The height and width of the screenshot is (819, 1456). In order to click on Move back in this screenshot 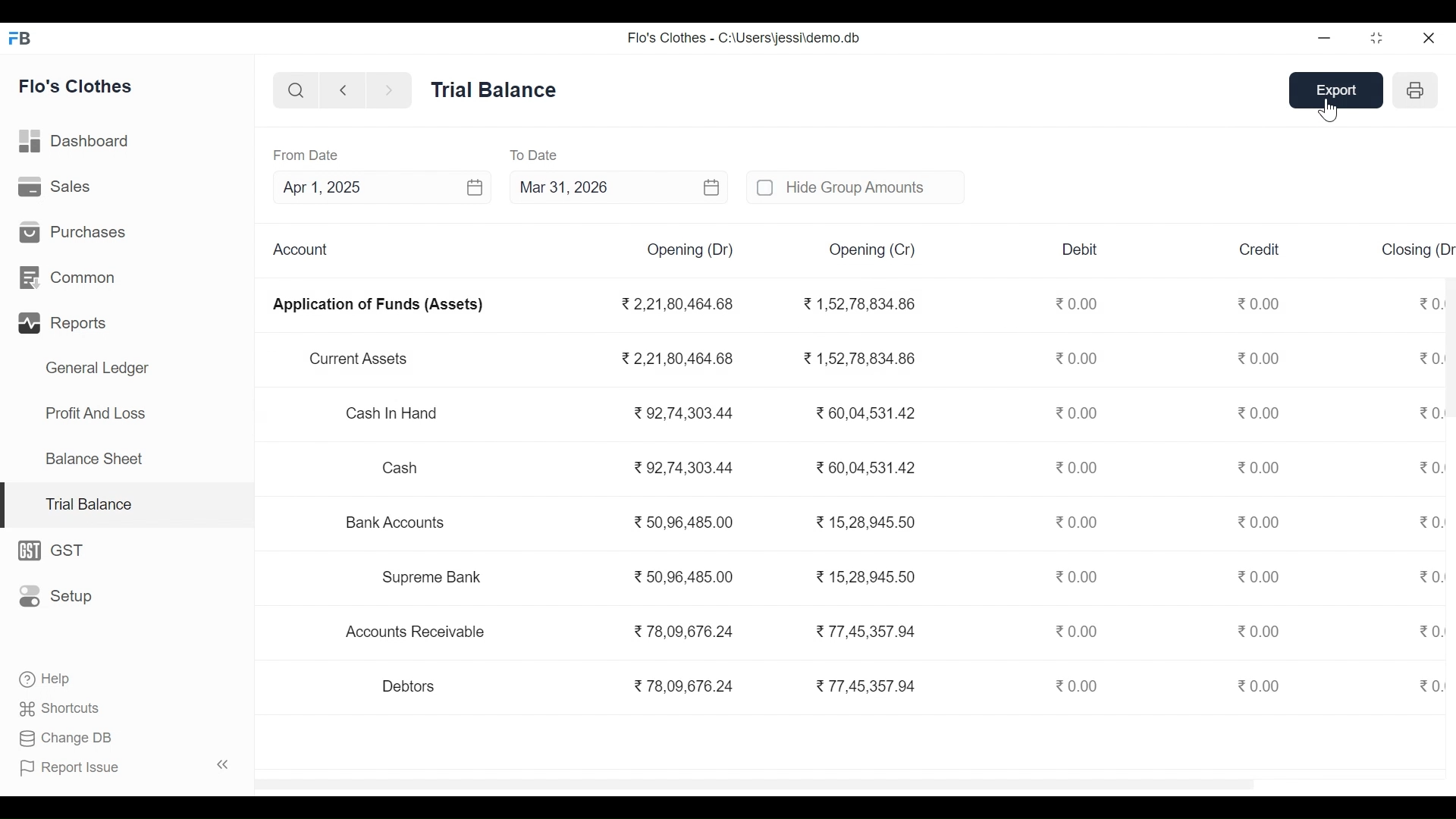, I will do `click(341, 89)`.